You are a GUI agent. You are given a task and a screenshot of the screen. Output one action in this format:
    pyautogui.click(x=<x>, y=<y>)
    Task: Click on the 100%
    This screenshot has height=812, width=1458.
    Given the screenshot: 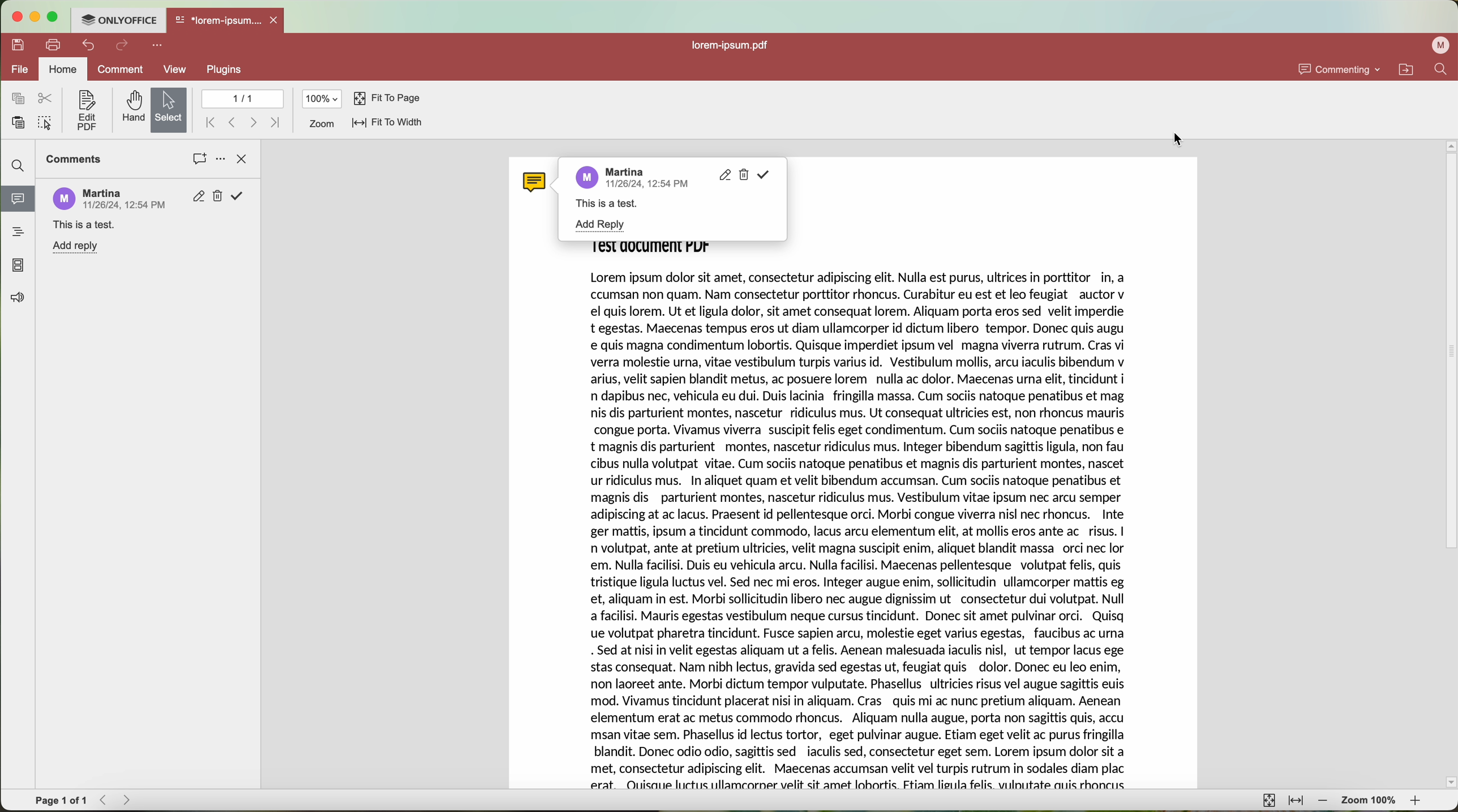 What is the action you would take?
    pyautogui.click(x=322, y=98)
    